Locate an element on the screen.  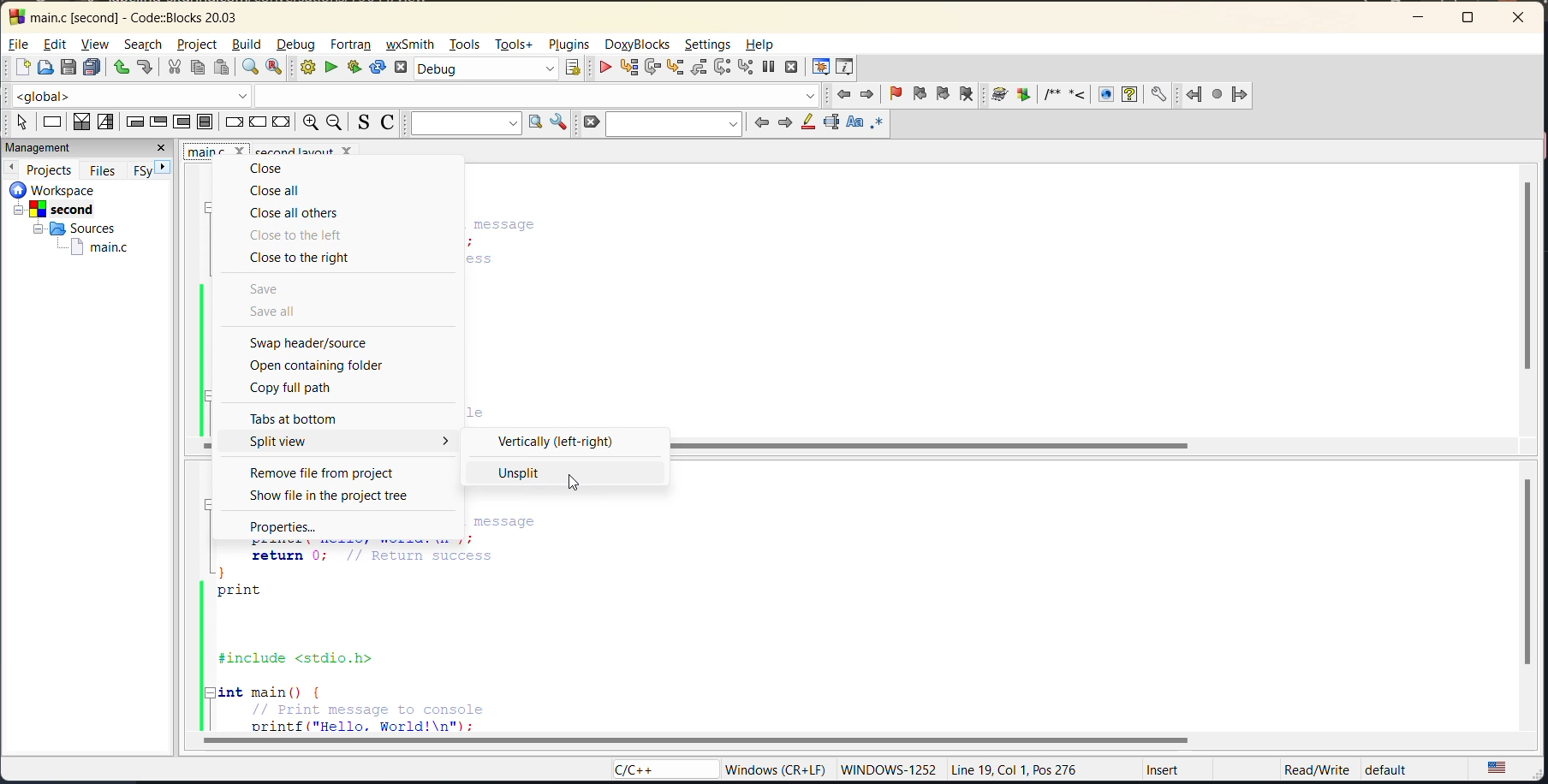
previous is located at coordinates (763, 123).